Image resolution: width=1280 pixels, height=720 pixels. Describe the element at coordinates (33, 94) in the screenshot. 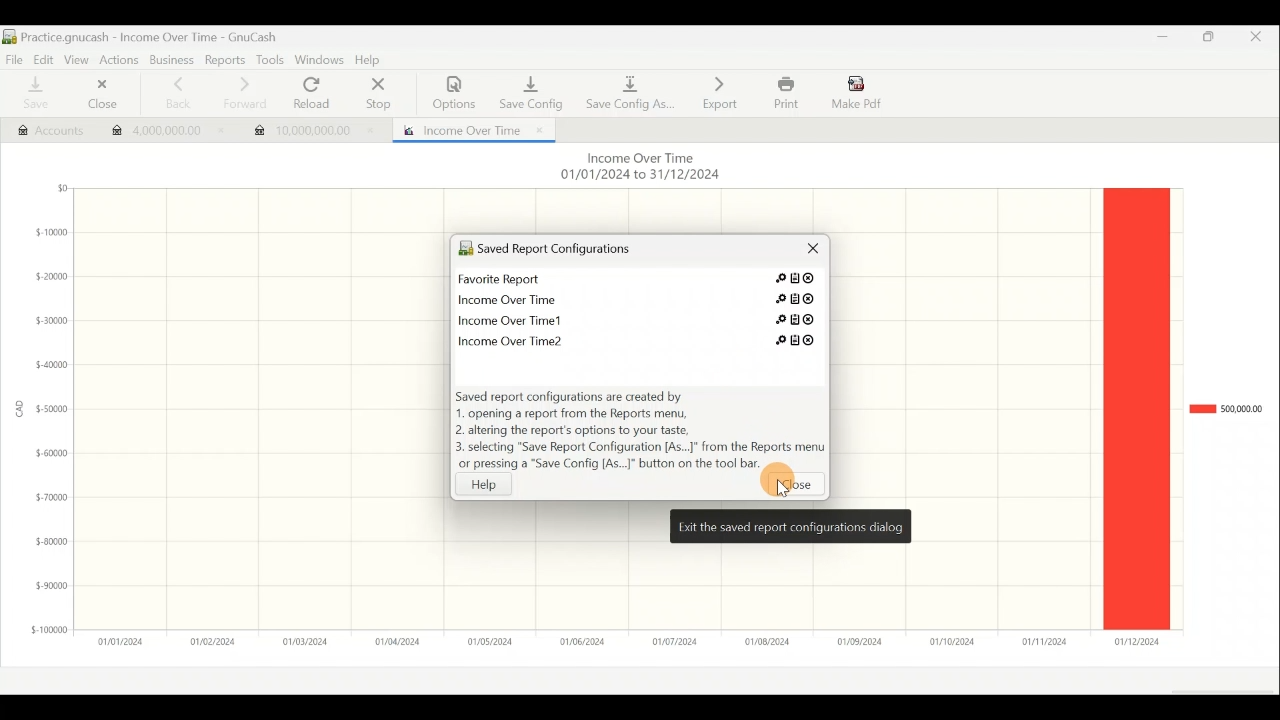

I see `Save` at that location.